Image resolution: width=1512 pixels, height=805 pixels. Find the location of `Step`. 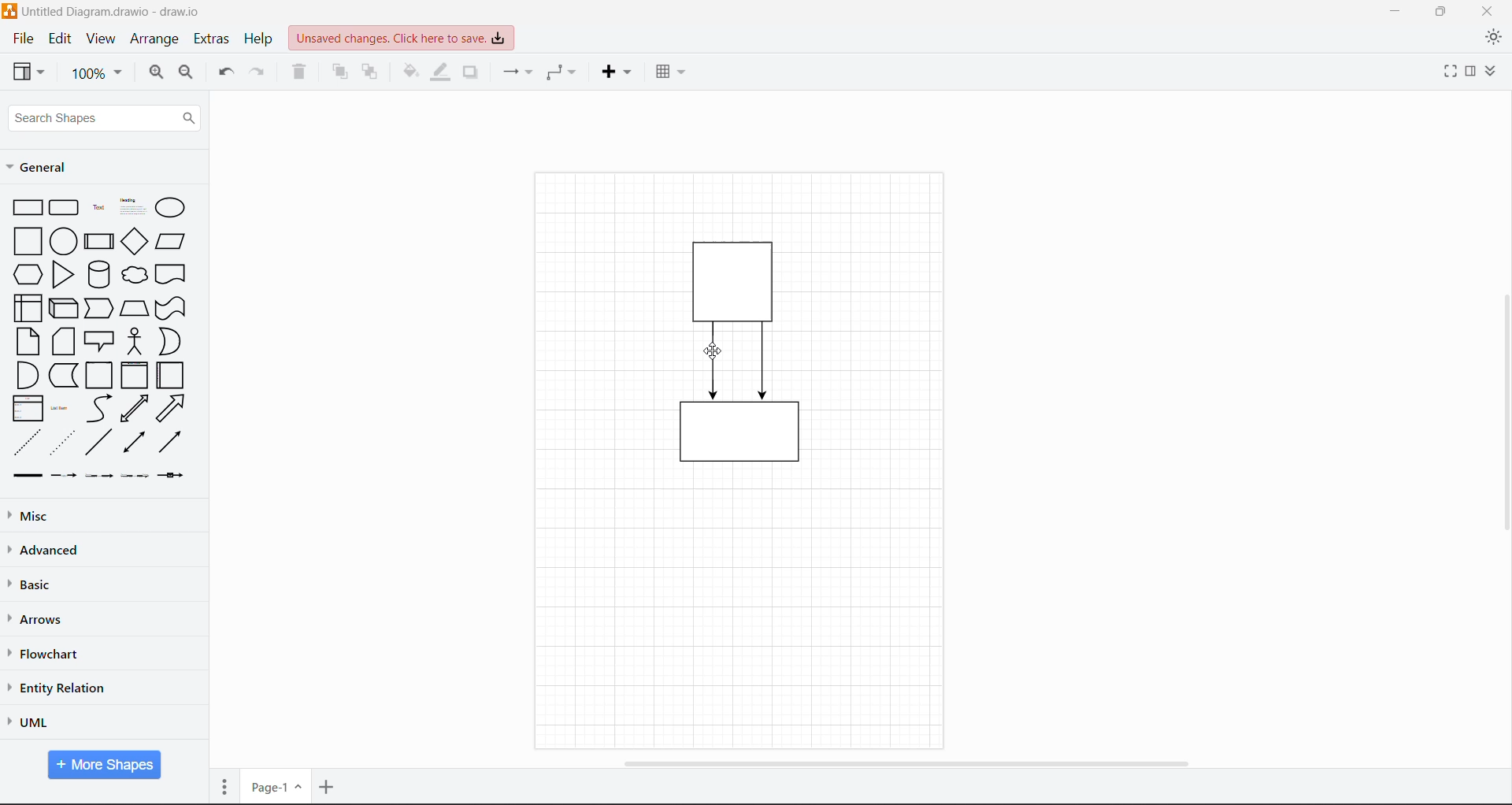

Step is located at coordinates (99, 306).